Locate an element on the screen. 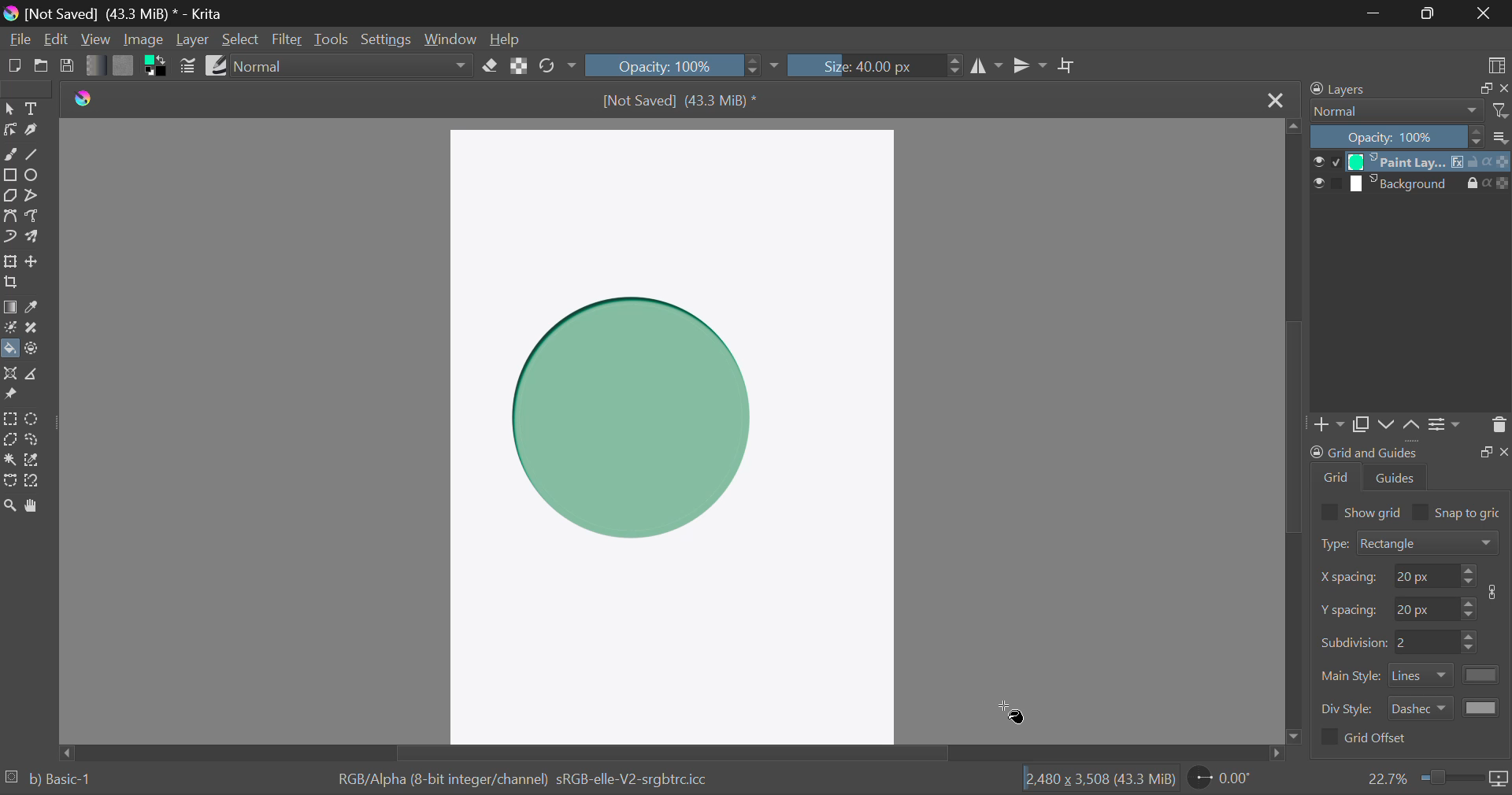  Crop is located at coordinates (1068, 66).